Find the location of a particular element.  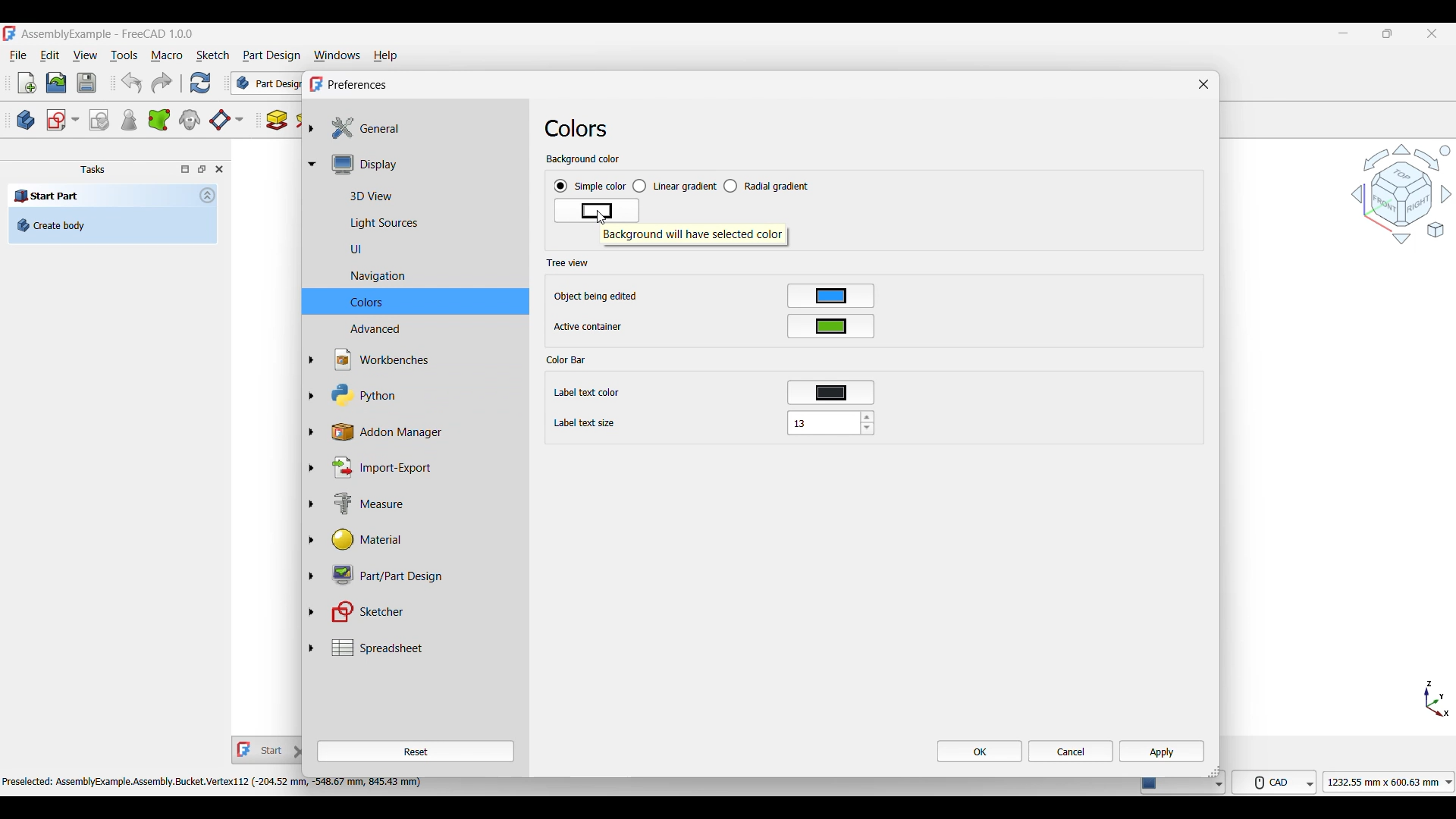

Advanced is located at coordinates (423, 329).